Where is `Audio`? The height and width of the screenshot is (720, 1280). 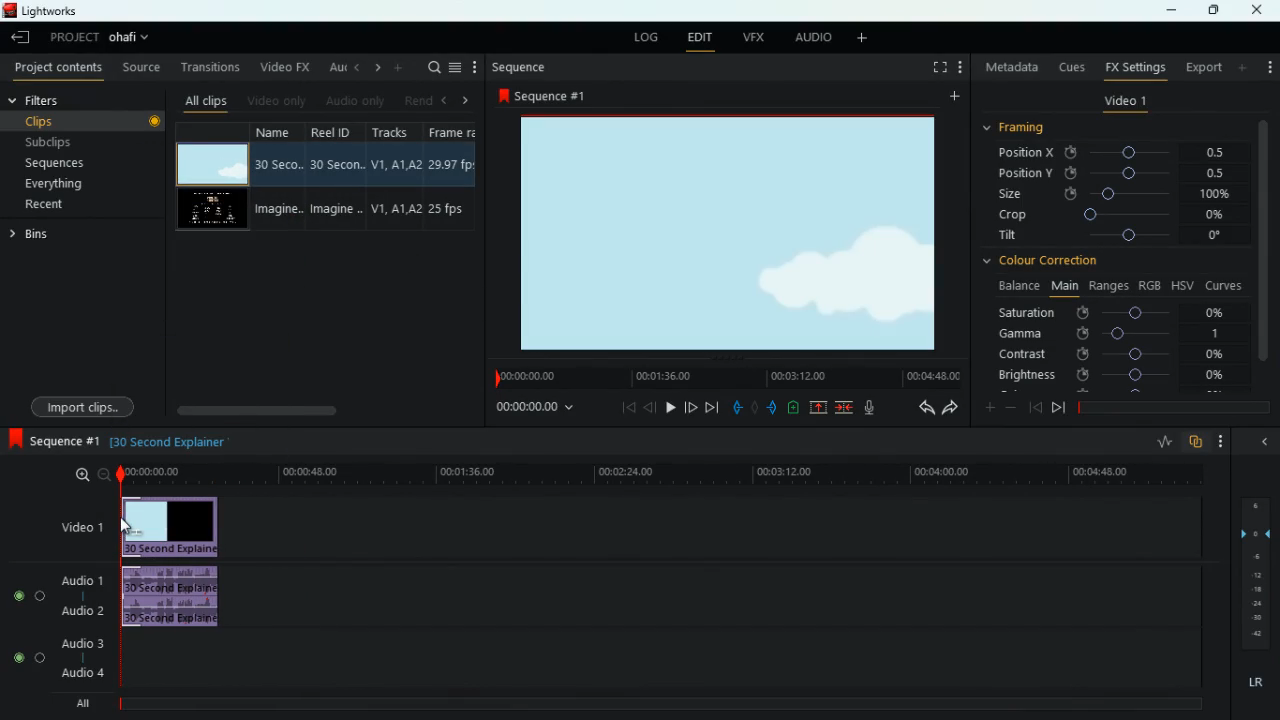
Audio is located at coordinates (24, 658).